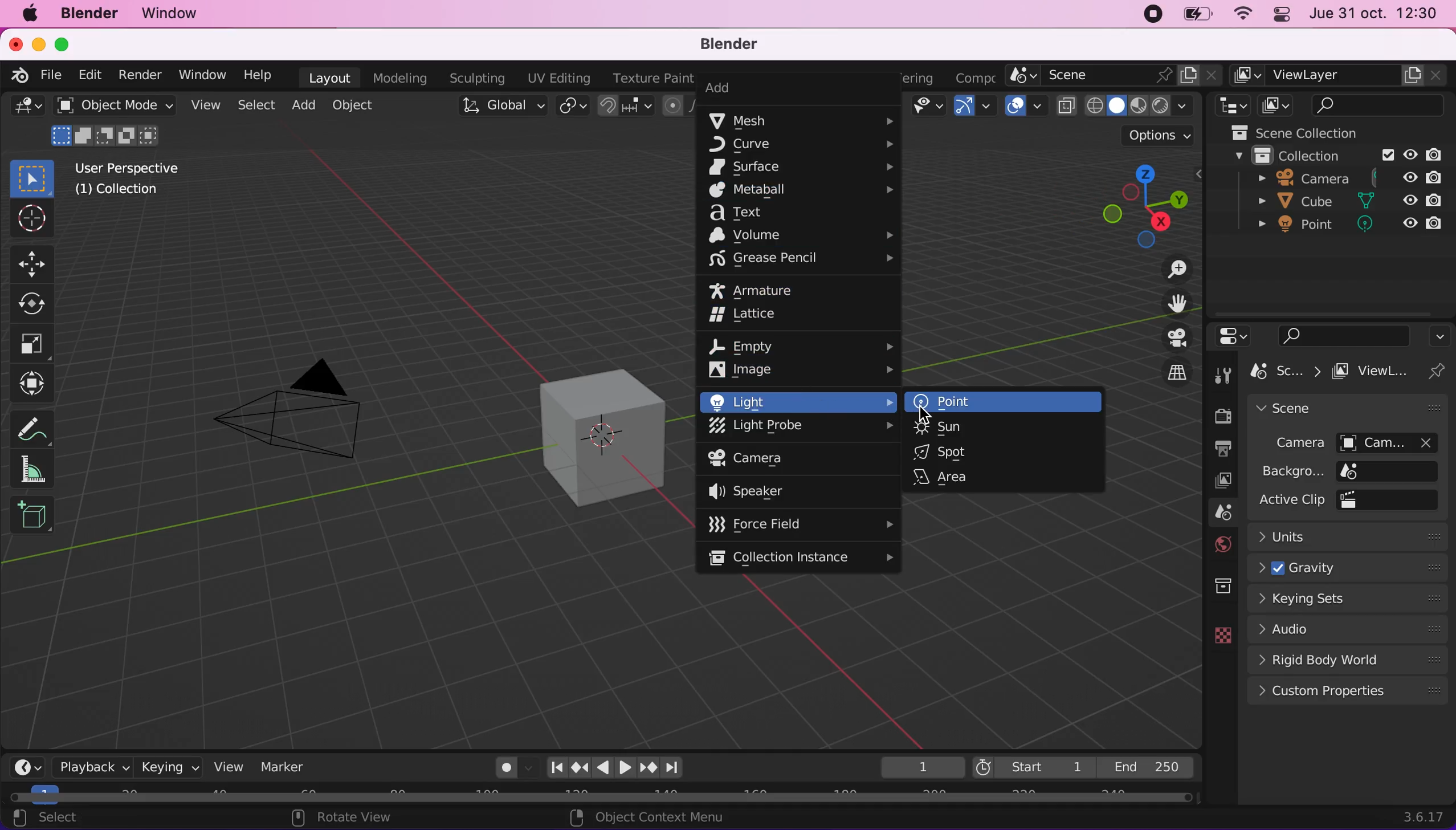  Describe the element at coordinates (1168, 337) in the screenshot. I see `toggle display view` at that location.